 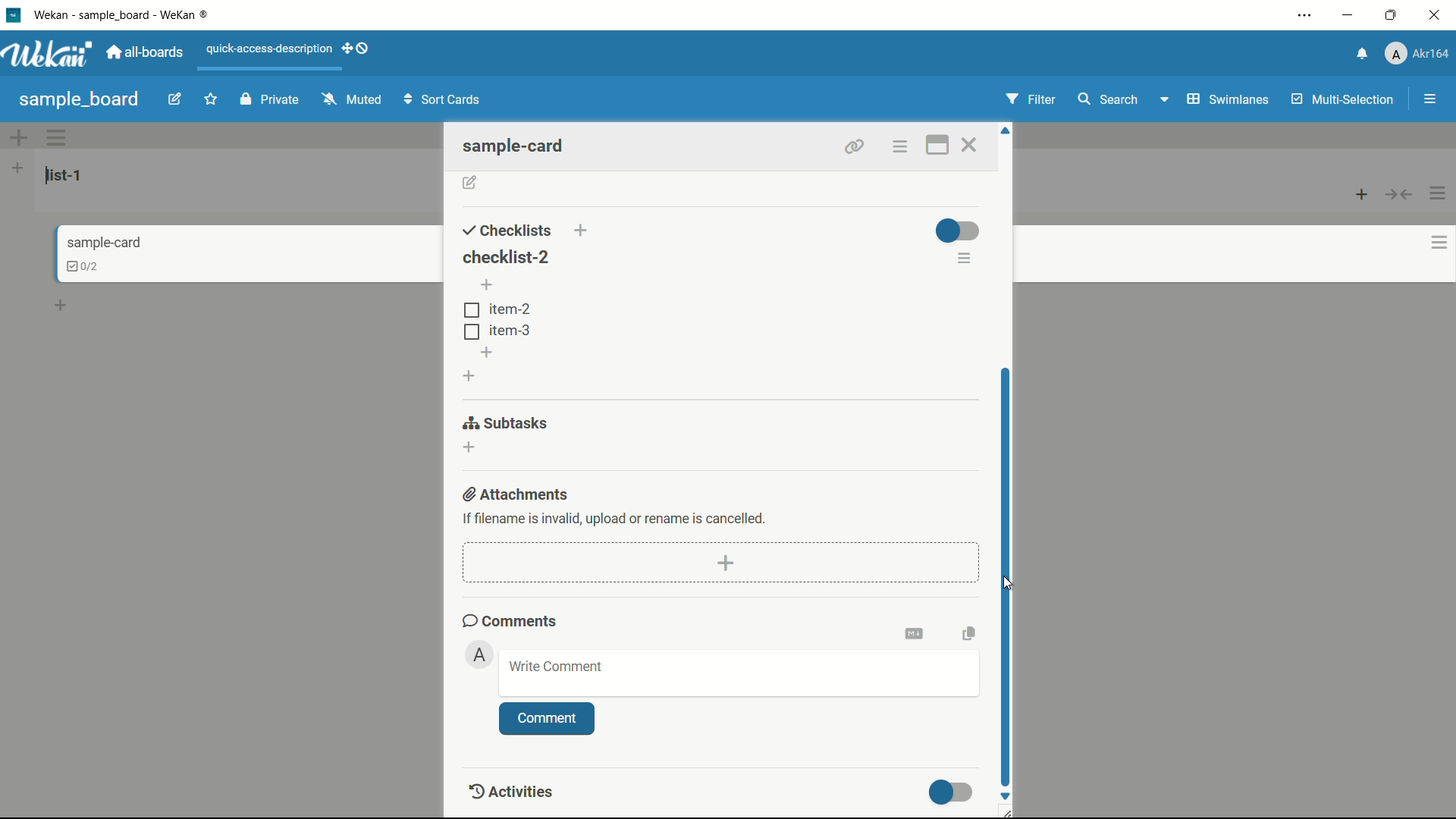 What do you see at coordinates (556, 667) in the screenshot?
I see `write comment ` at bounding box center [556, 667].